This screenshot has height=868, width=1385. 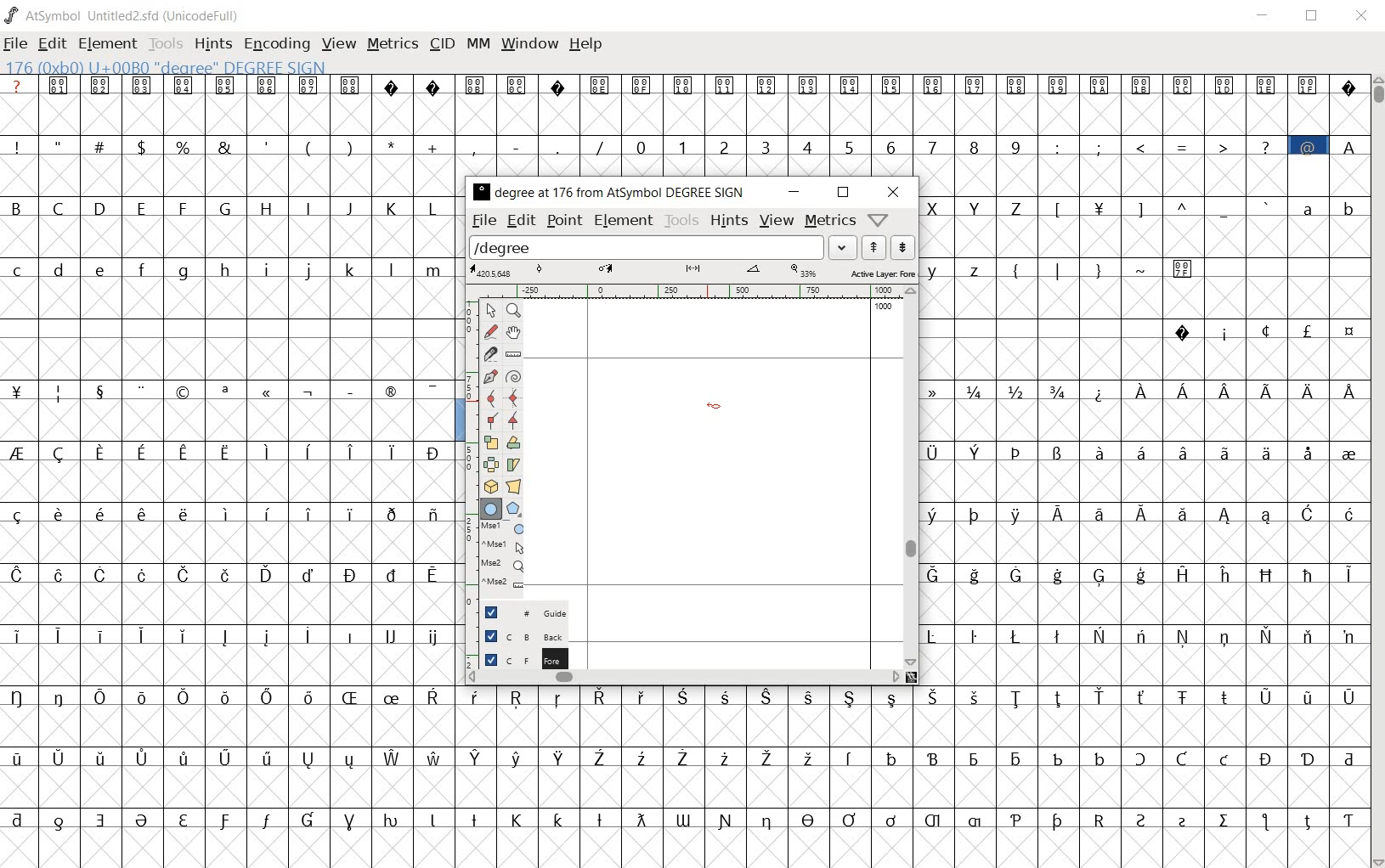 I want to click on empty glyph slots, so click(x=911, y=786).